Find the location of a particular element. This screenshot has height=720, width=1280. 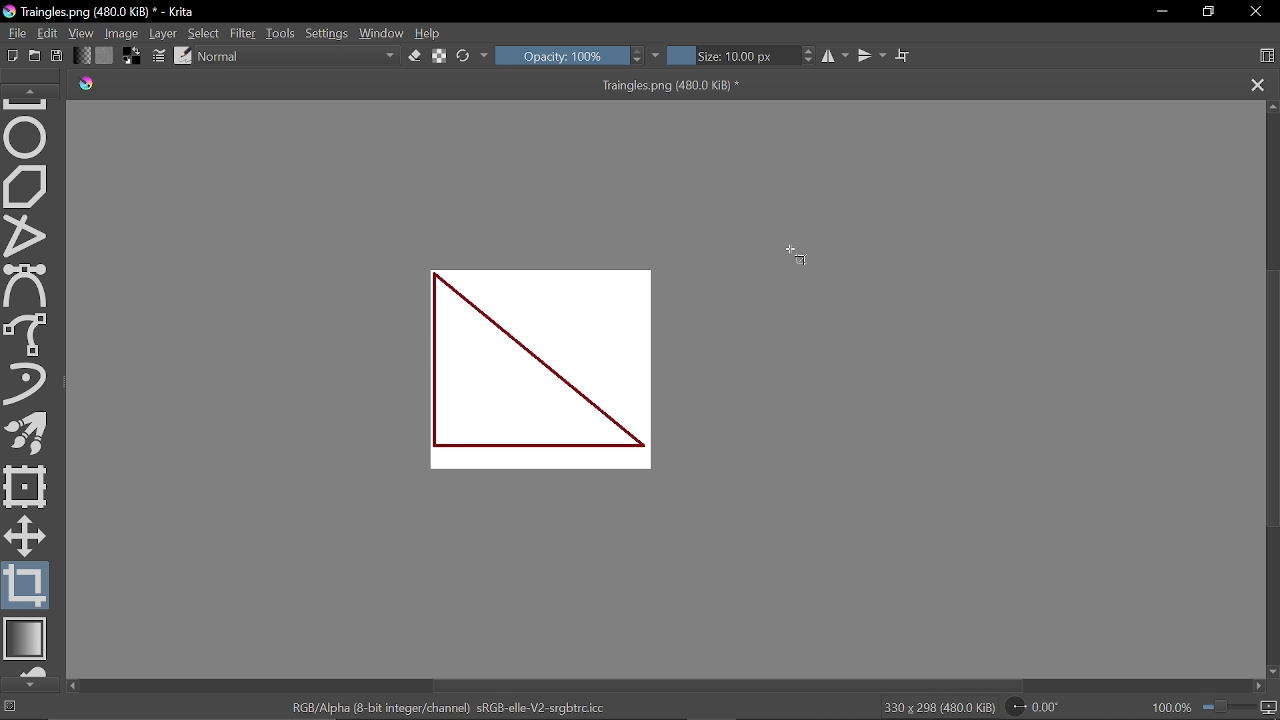

Wrap text tool is located at coordinates (903, 55).